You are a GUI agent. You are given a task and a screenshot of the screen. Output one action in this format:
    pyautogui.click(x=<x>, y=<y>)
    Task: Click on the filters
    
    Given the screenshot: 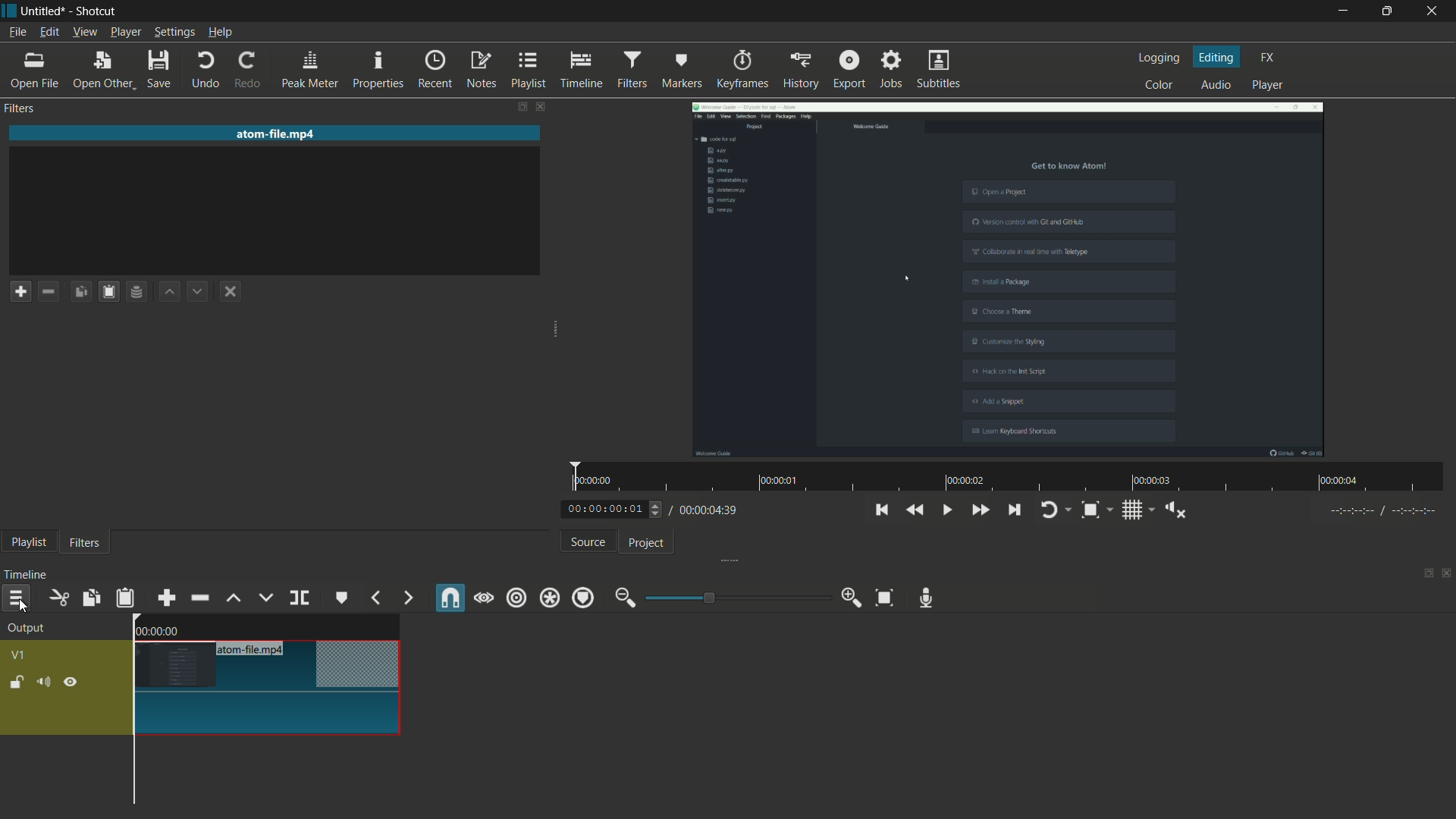 What is the action you would take?
    pyautogui.click(x=632, y=69)
    